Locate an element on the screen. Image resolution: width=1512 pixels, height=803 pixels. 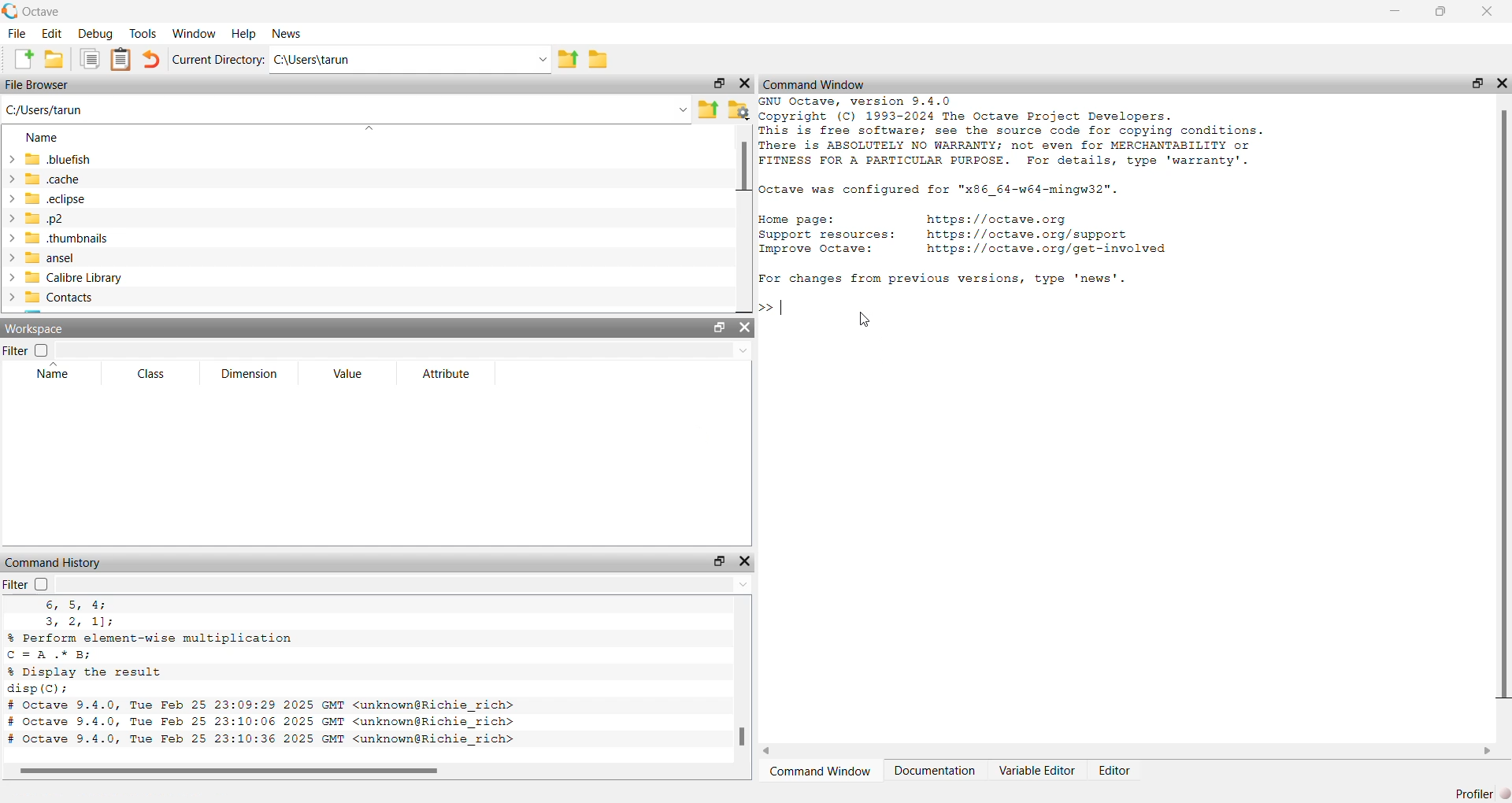
Profiler is located at coordinates (1477, 794).